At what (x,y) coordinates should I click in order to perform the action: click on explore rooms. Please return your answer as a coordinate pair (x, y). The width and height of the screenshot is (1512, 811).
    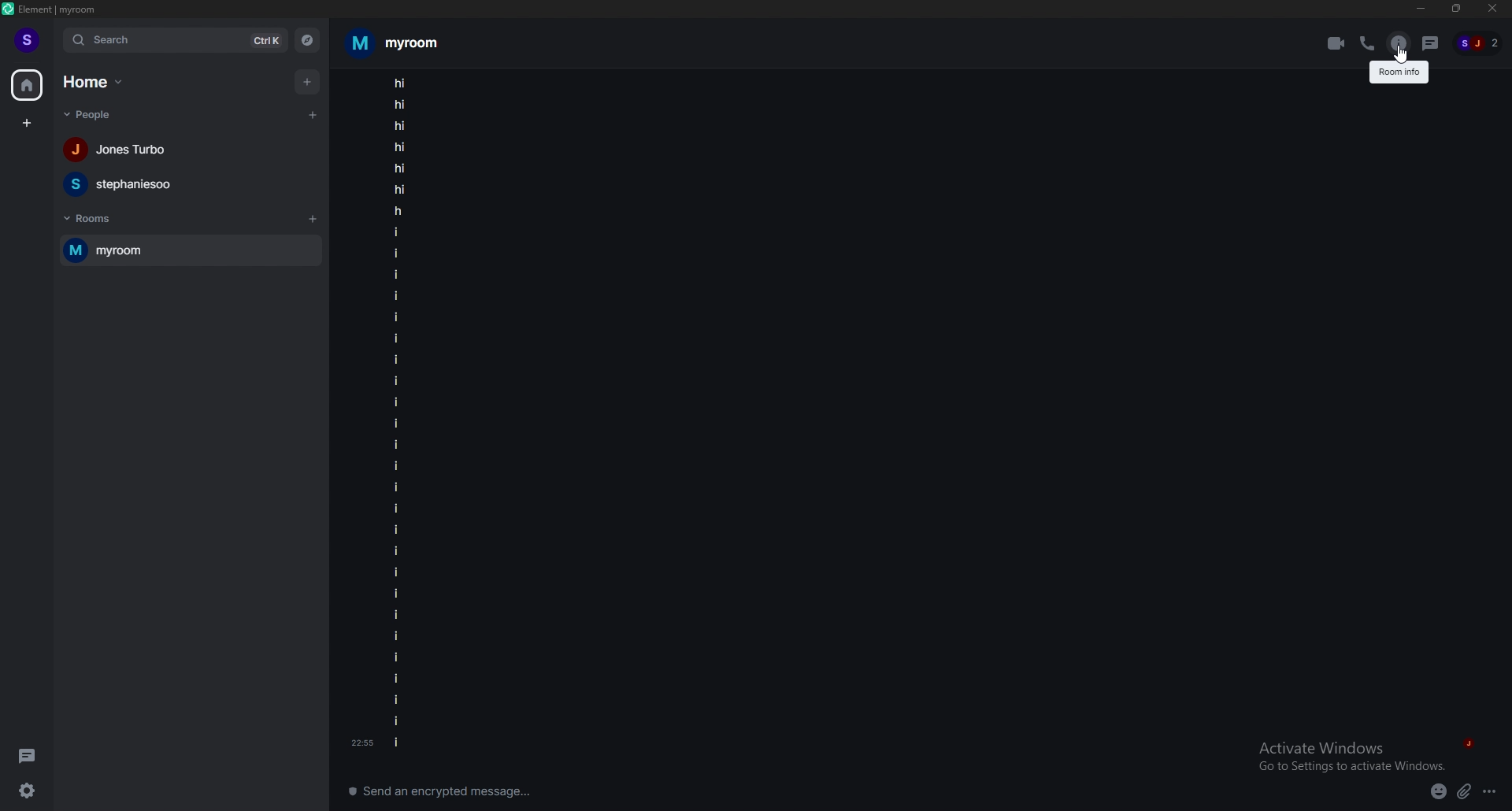
    Looking at the image, I should click on (307, 39).